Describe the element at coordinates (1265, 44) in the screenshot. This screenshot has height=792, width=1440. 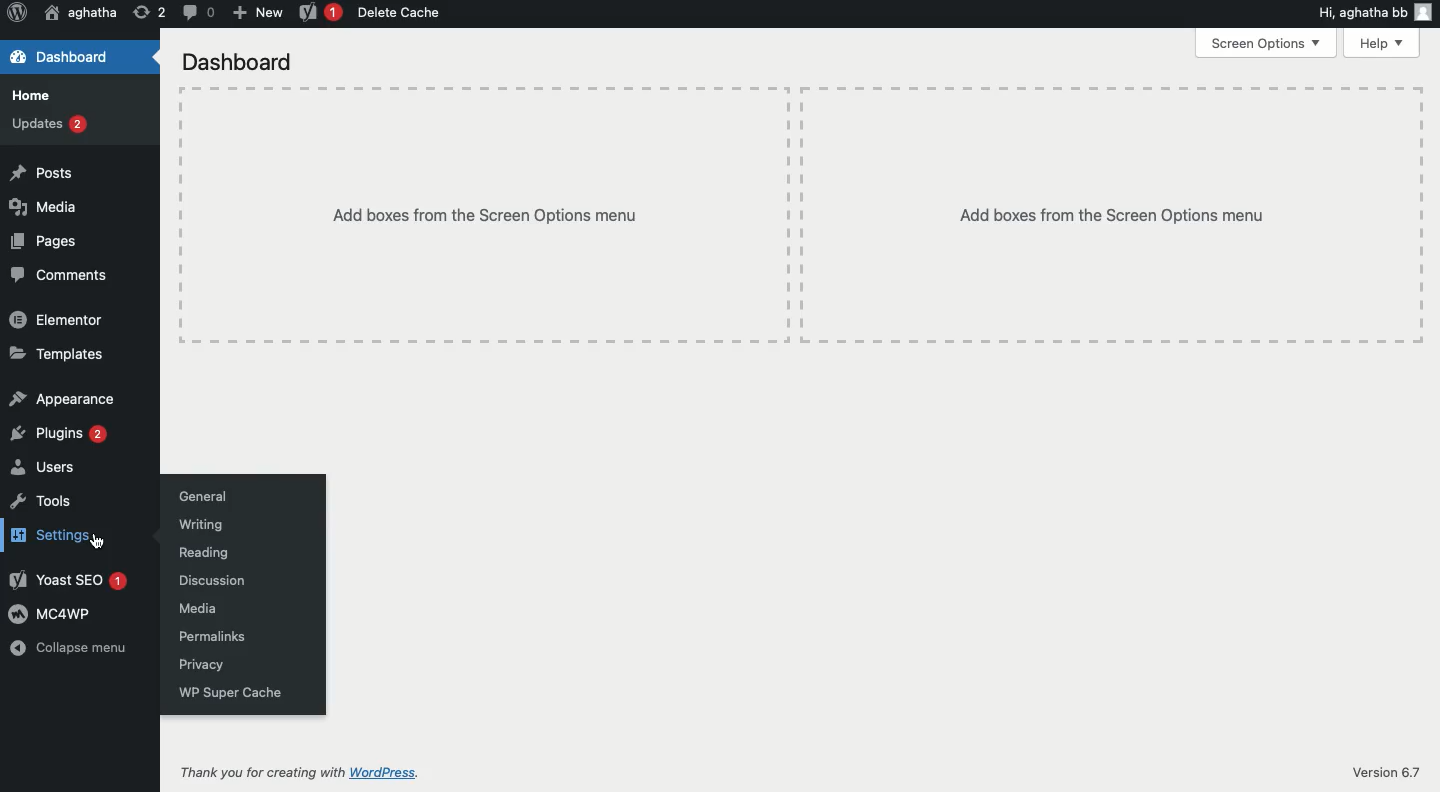
I see `Screen options` at that location.